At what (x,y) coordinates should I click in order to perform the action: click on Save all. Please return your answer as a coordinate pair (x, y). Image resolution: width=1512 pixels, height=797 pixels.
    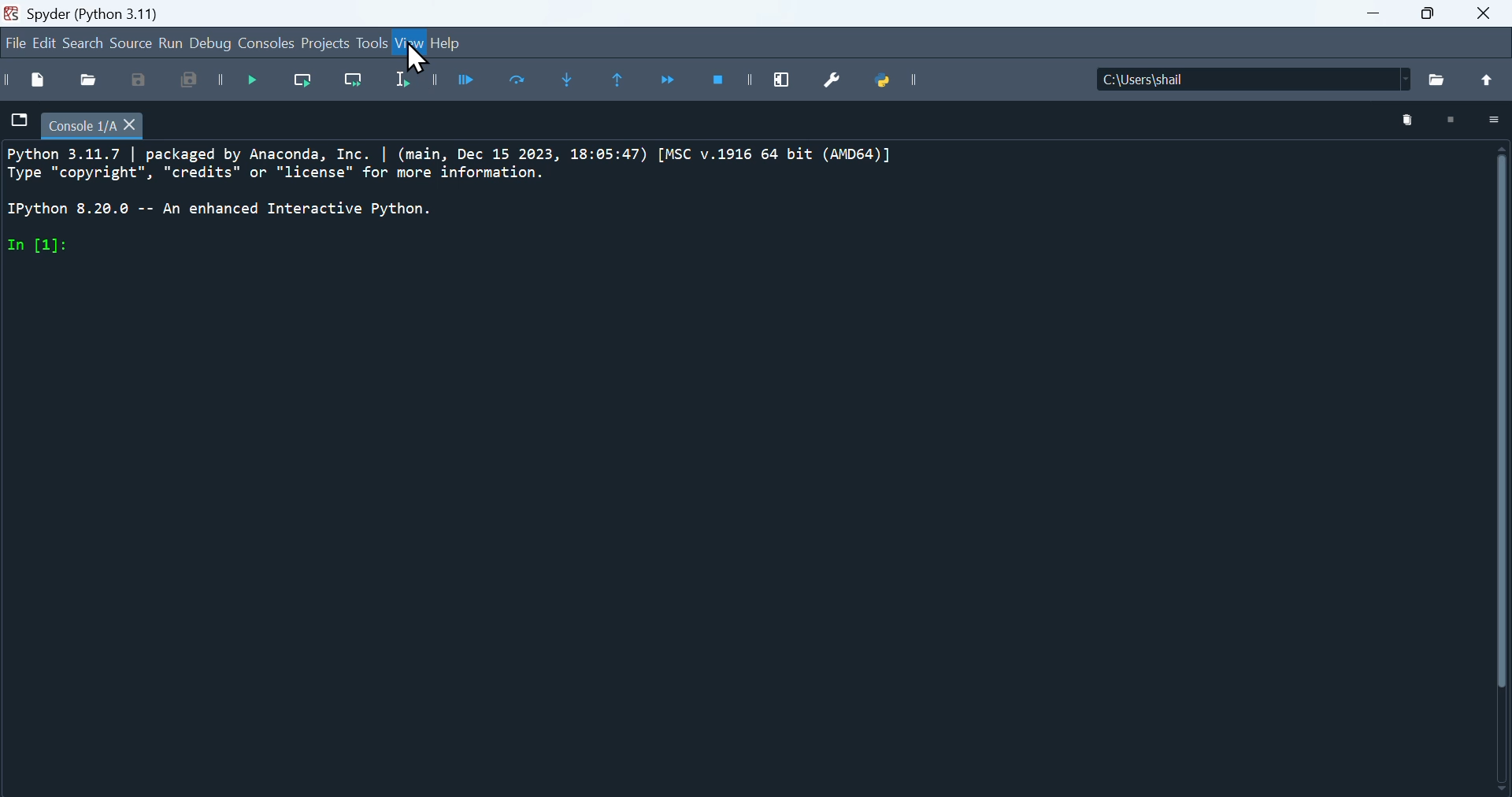
    Looking at the image, I should click on (196, 83).